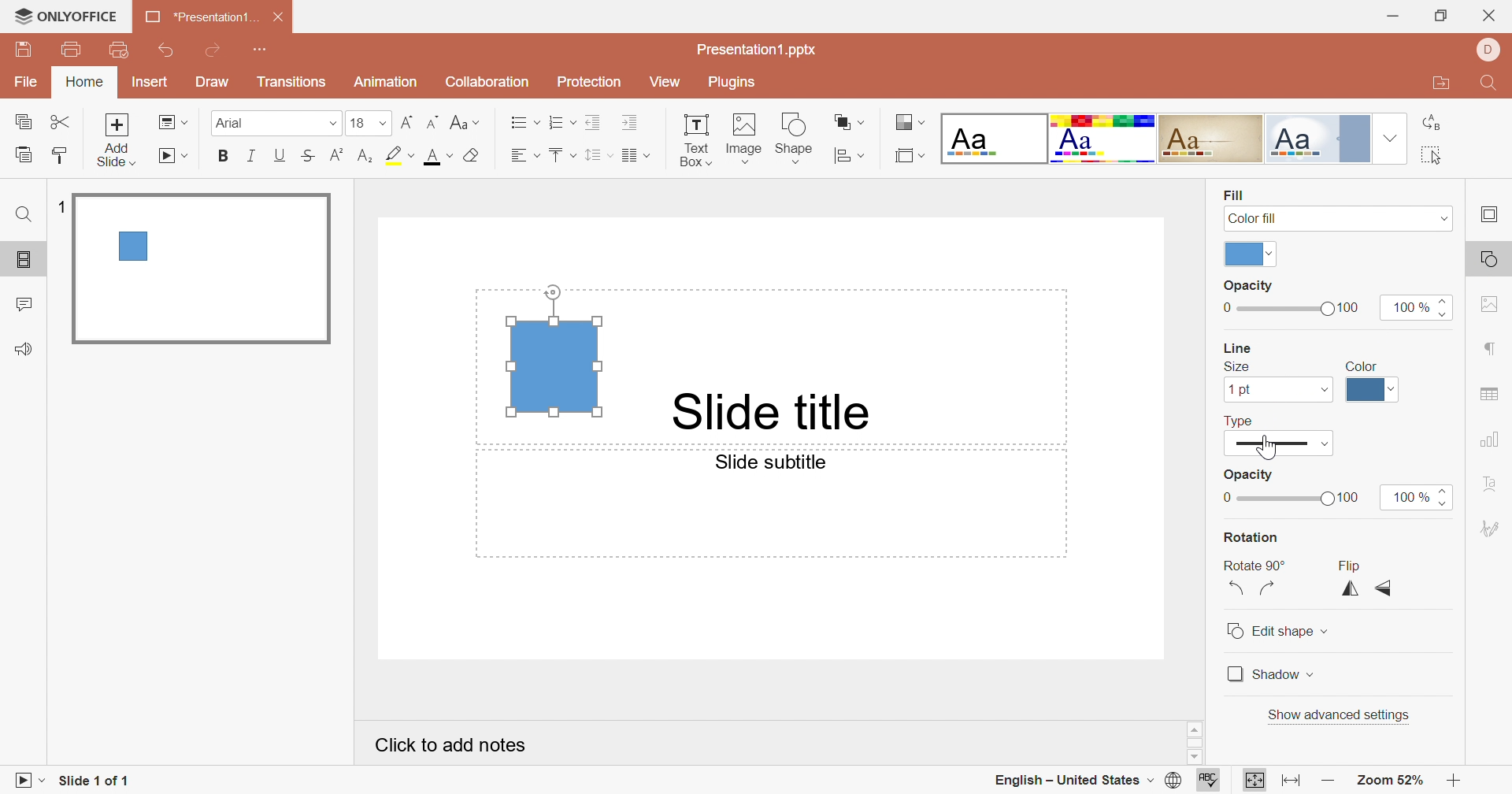 This screenshot has width=1512, height=794. What do you see at coordinates (1241, 419) in the screenshot?
I see `Type` at bounding box center [1241, 419].